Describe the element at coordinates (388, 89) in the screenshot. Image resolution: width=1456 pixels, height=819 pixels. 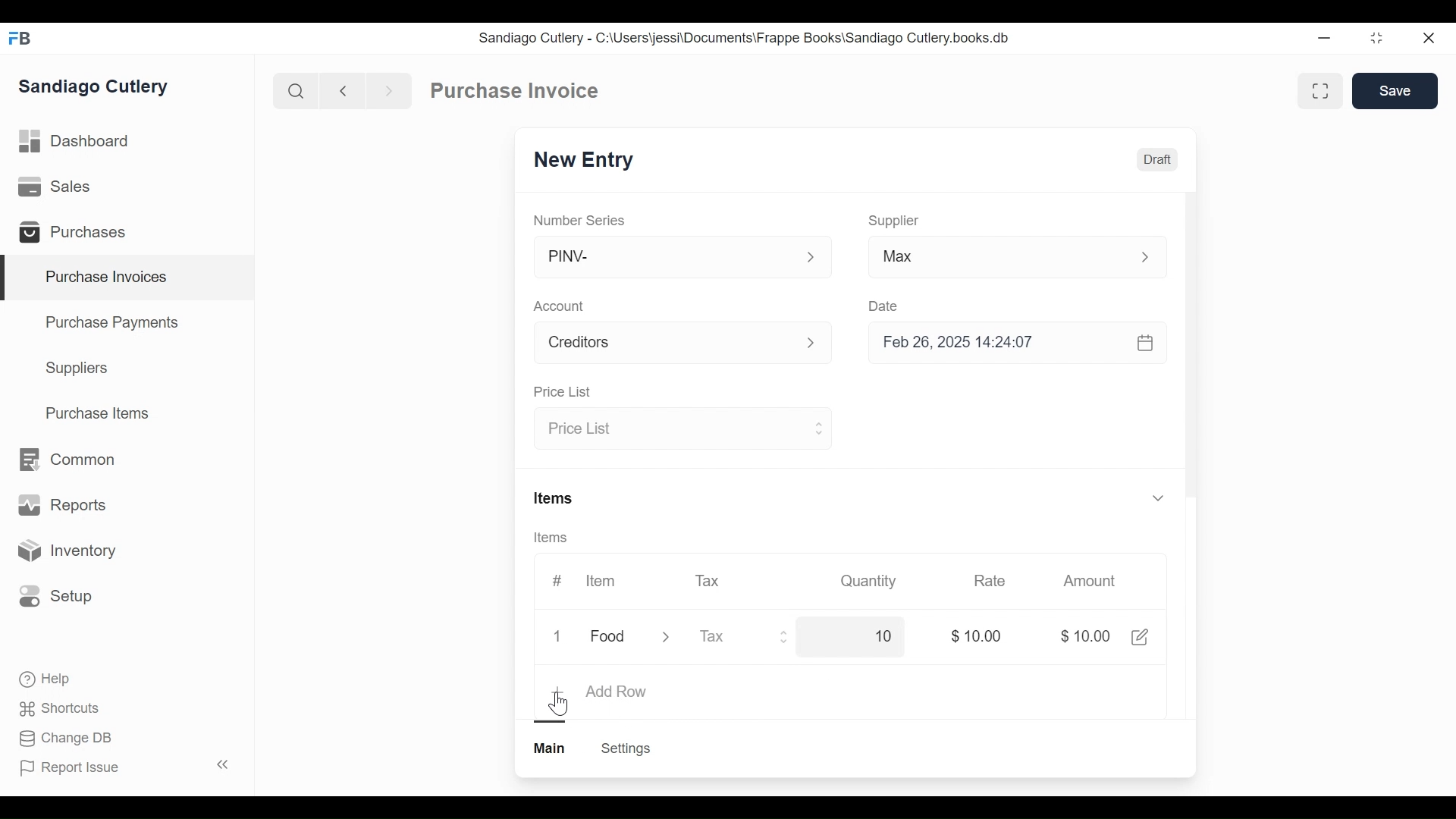
I see `Navigate forward` at that location.